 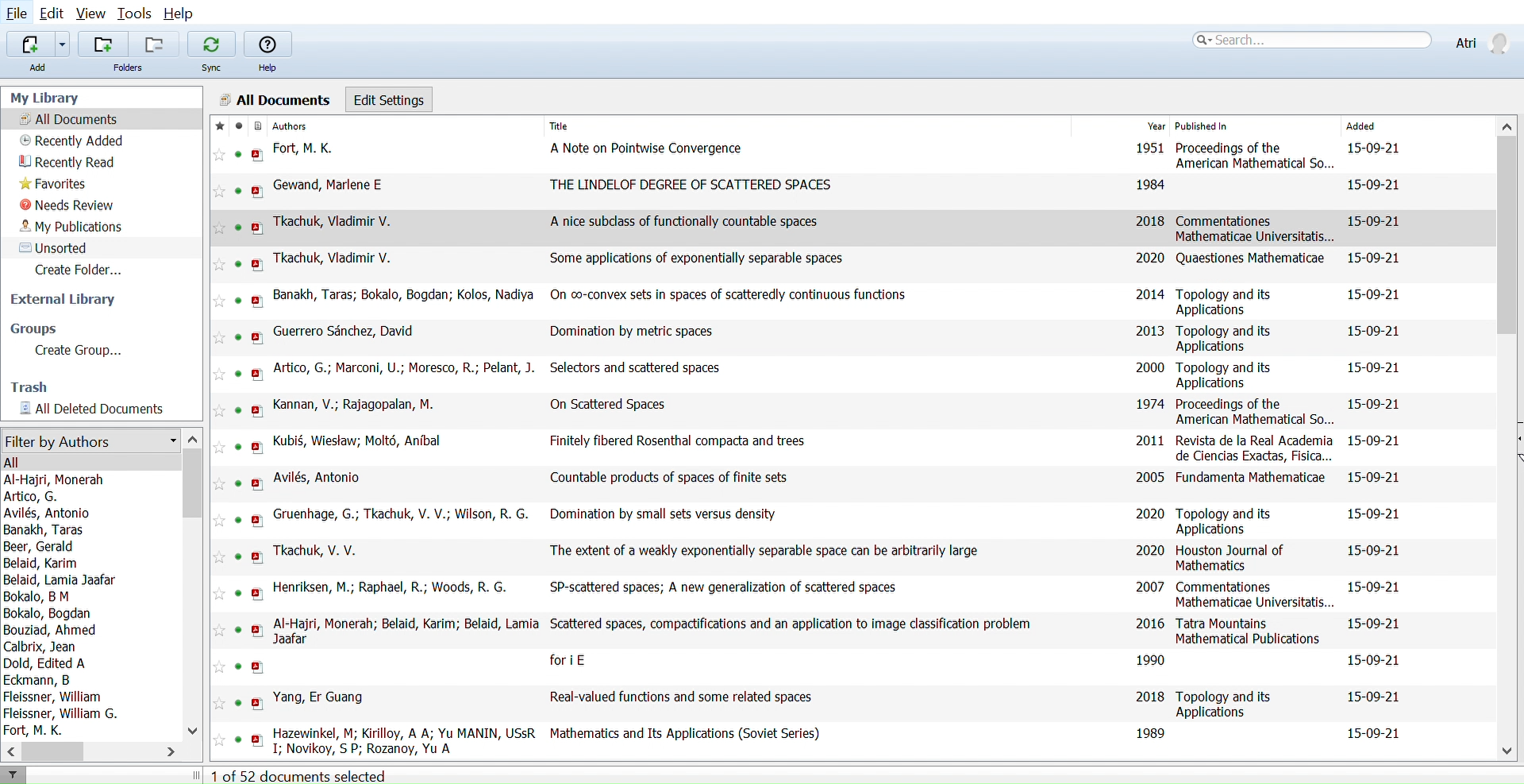 What do you see at coordinates (1149, 221) in the screenshot?
I see `2018` at bounding box center [1149, 221].